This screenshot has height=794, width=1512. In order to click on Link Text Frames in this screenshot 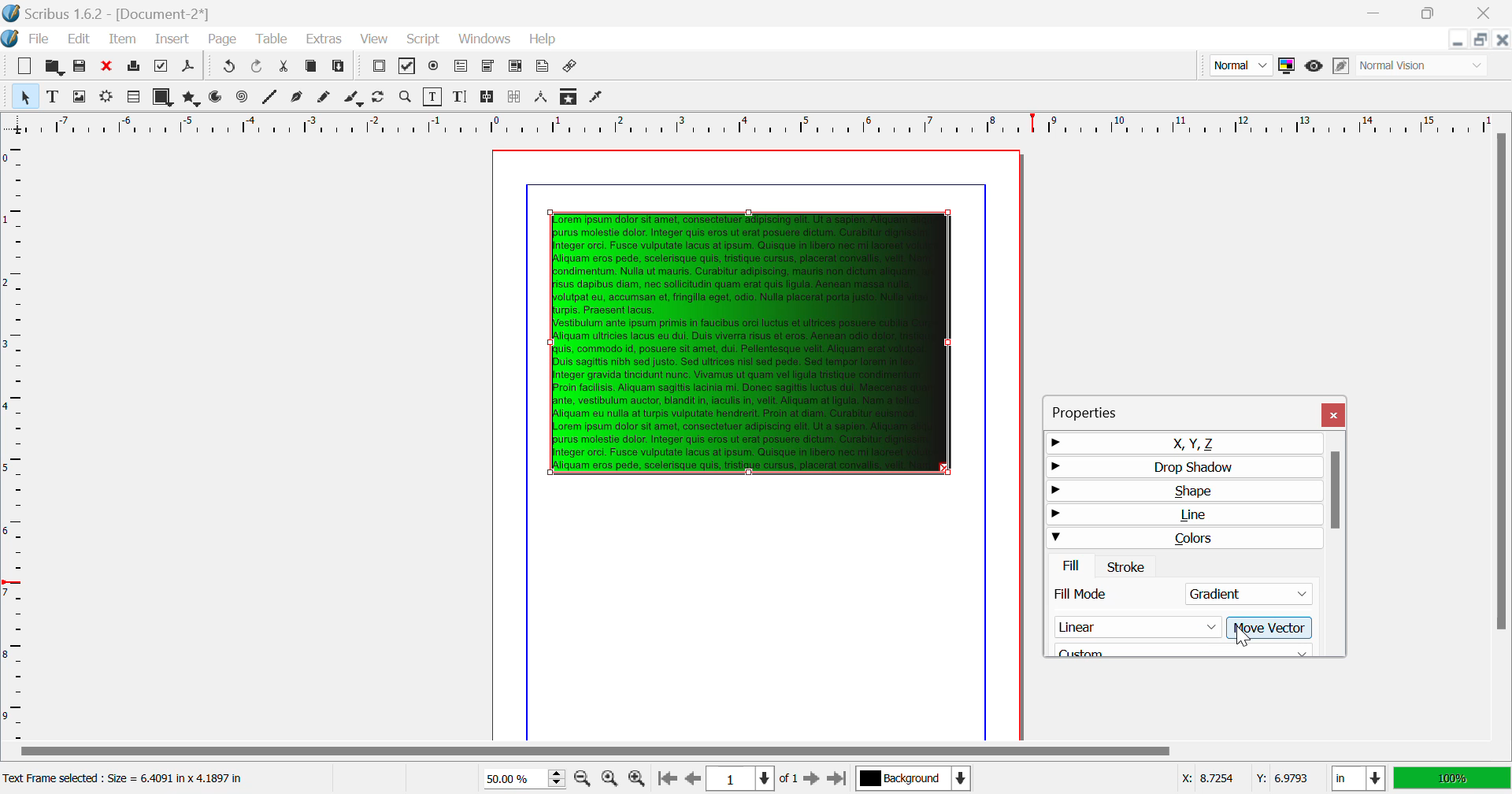, I will do `click(488, 98)`.